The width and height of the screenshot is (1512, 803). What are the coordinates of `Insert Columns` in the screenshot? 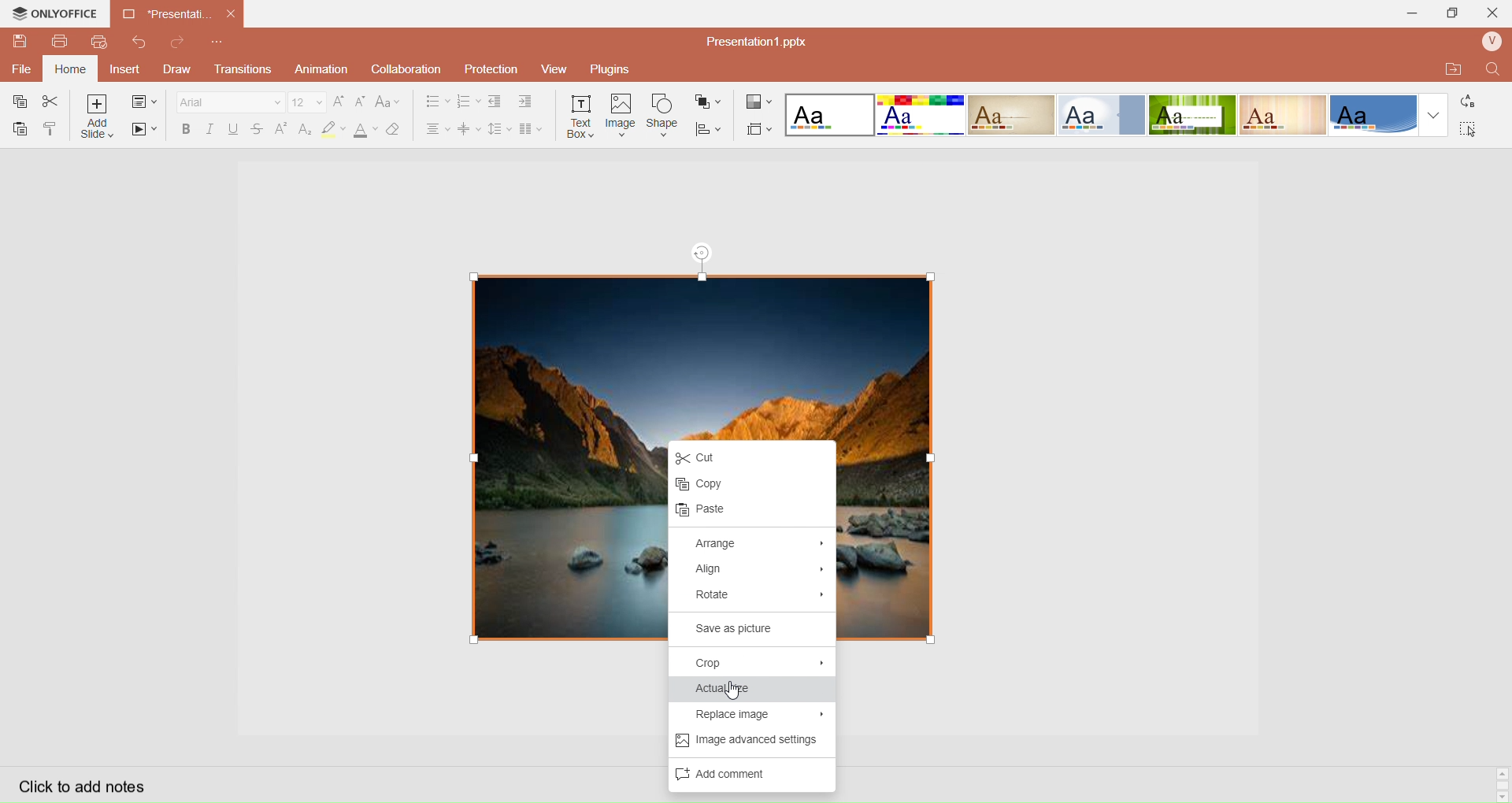 It's located at (532, 129).